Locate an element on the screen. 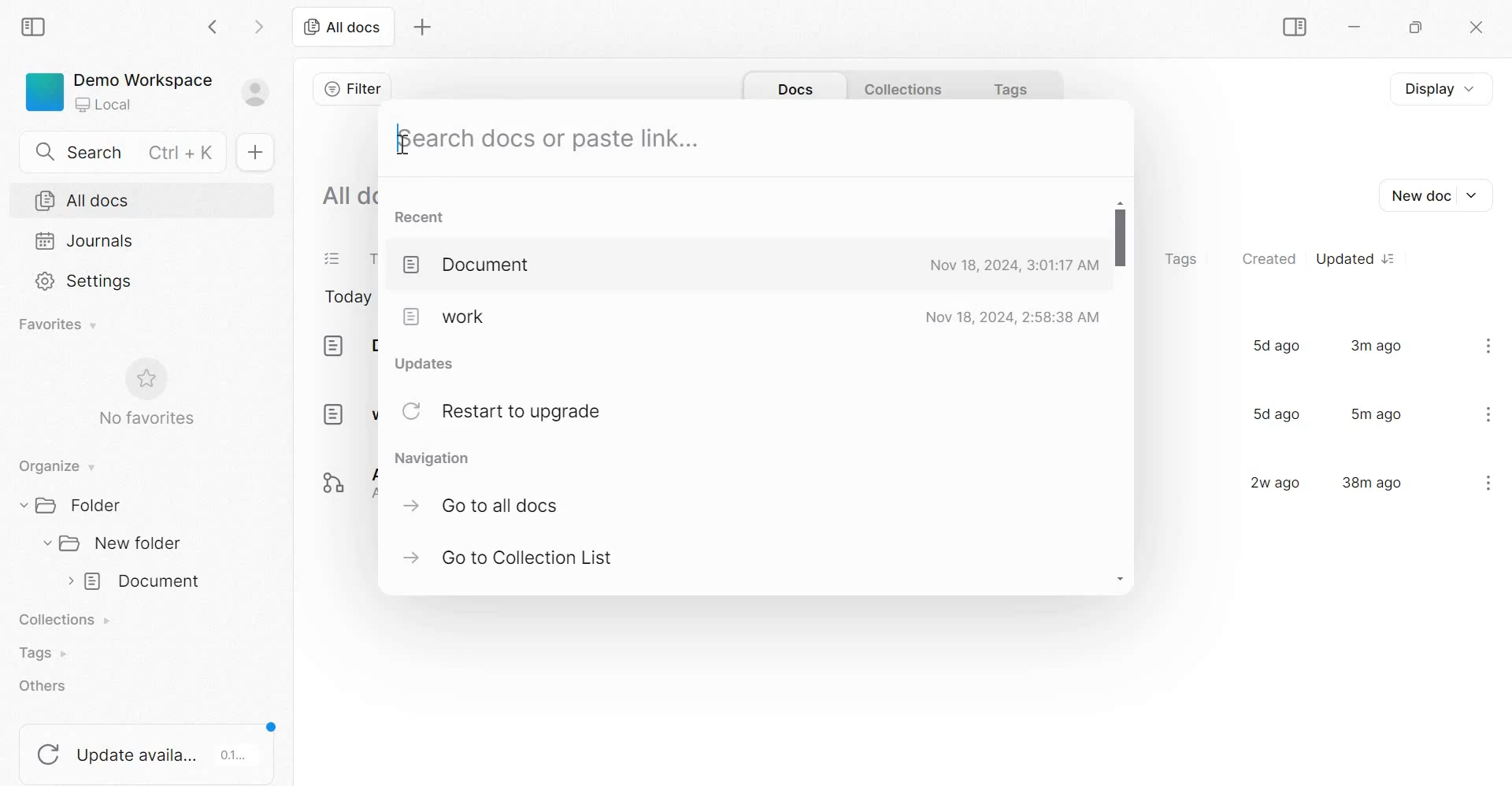 Image resolution: width=1512 pixels, height=786 pixels. new doc is located at coordinates (254, 151).